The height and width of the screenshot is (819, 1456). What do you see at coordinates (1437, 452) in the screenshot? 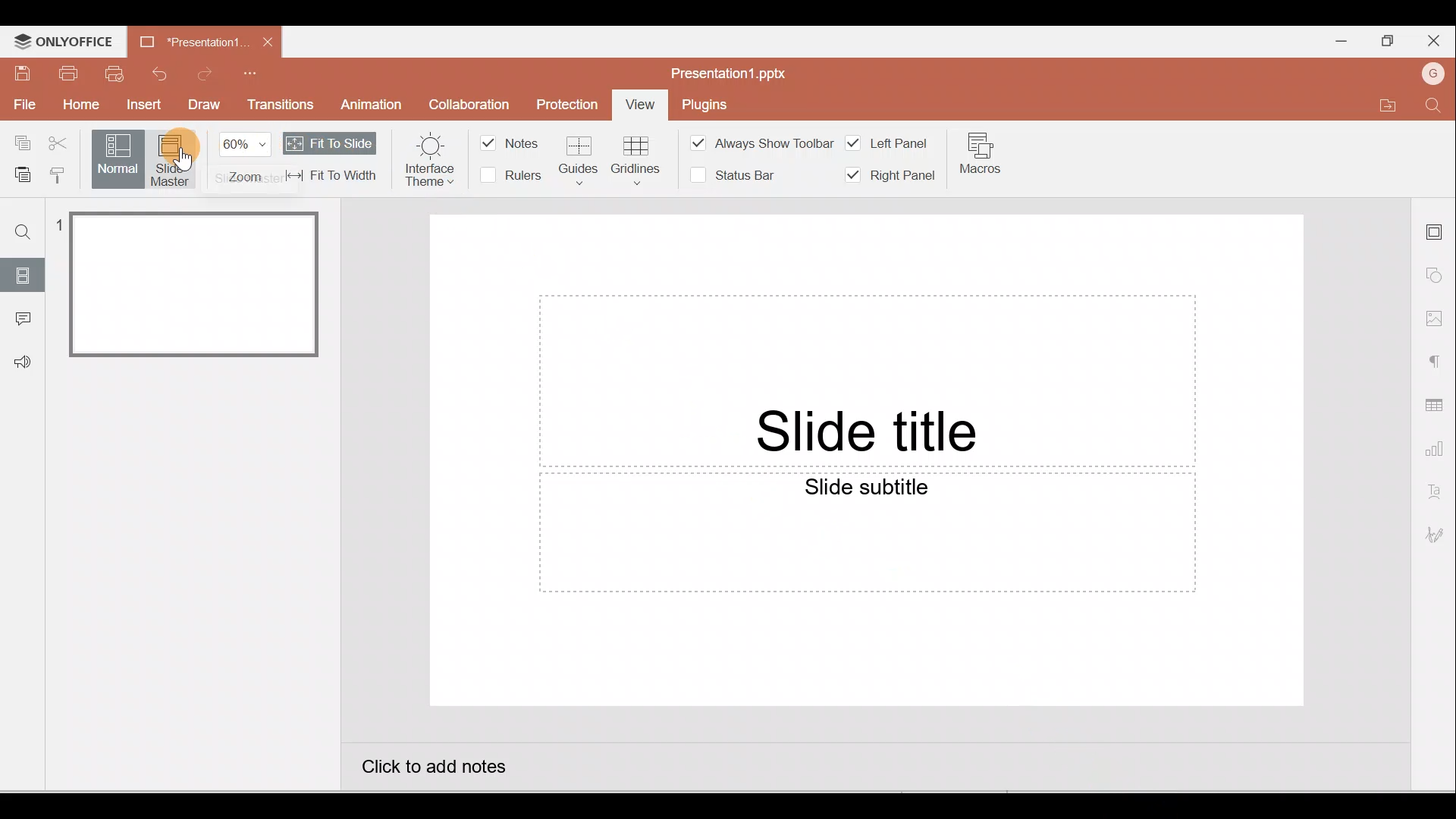
I see `Chart settings` at bounding box center [1437, 452].